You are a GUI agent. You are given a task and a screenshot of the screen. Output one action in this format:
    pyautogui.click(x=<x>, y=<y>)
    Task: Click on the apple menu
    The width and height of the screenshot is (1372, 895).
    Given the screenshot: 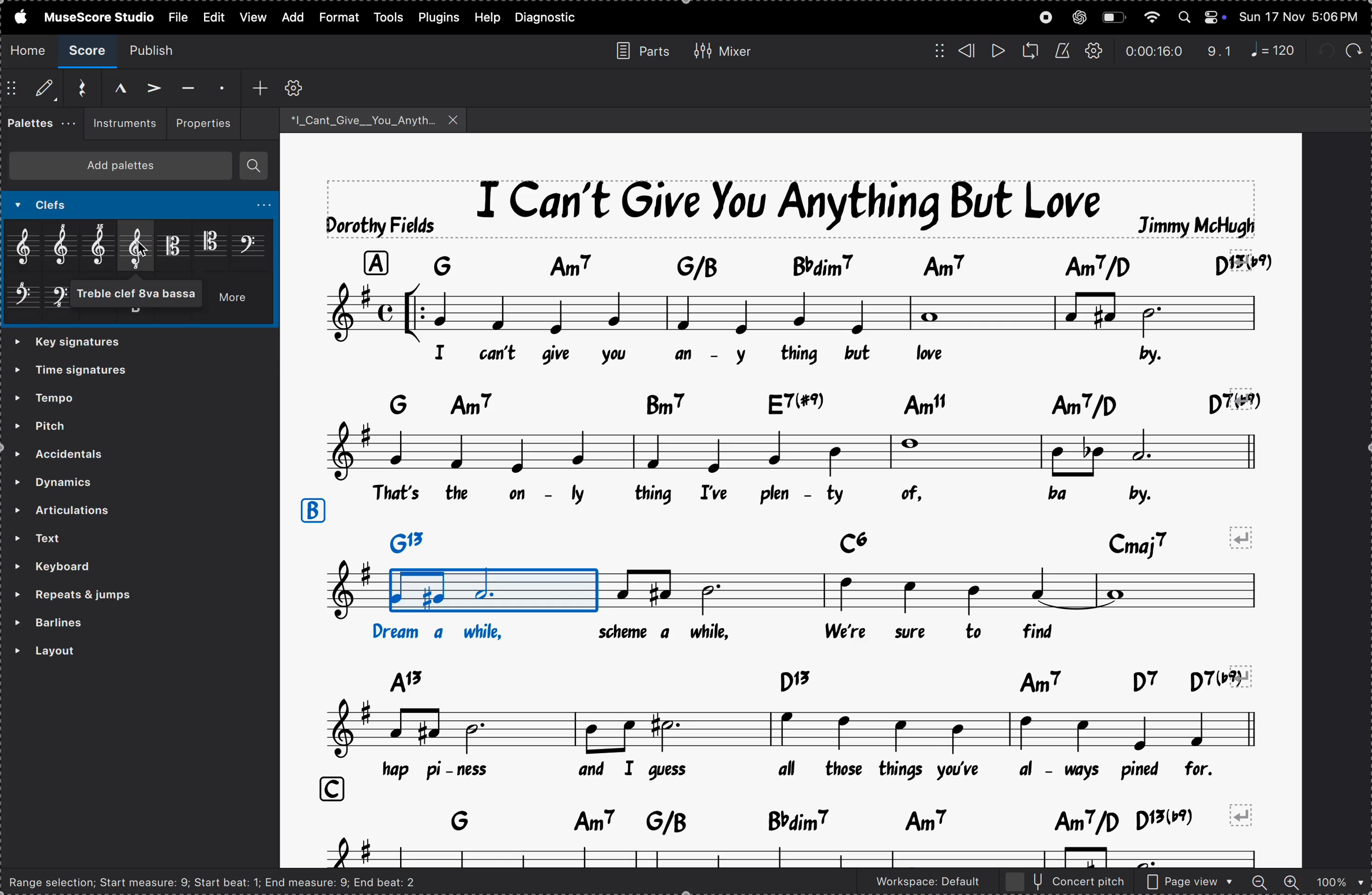 What is the action you would take?
    pyautogui.click(x=17, y=16)
    